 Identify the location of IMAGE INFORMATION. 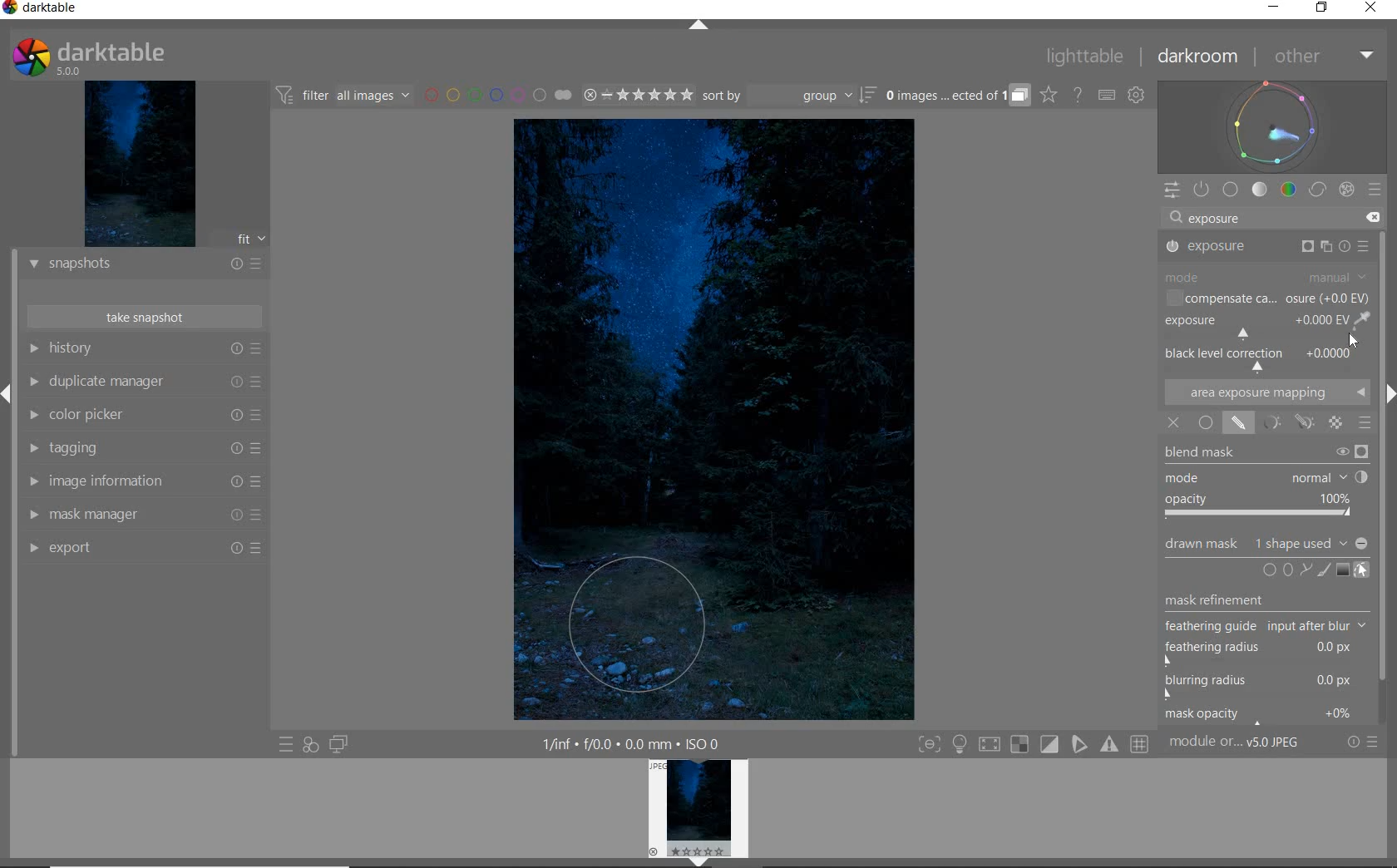
(141, 482).